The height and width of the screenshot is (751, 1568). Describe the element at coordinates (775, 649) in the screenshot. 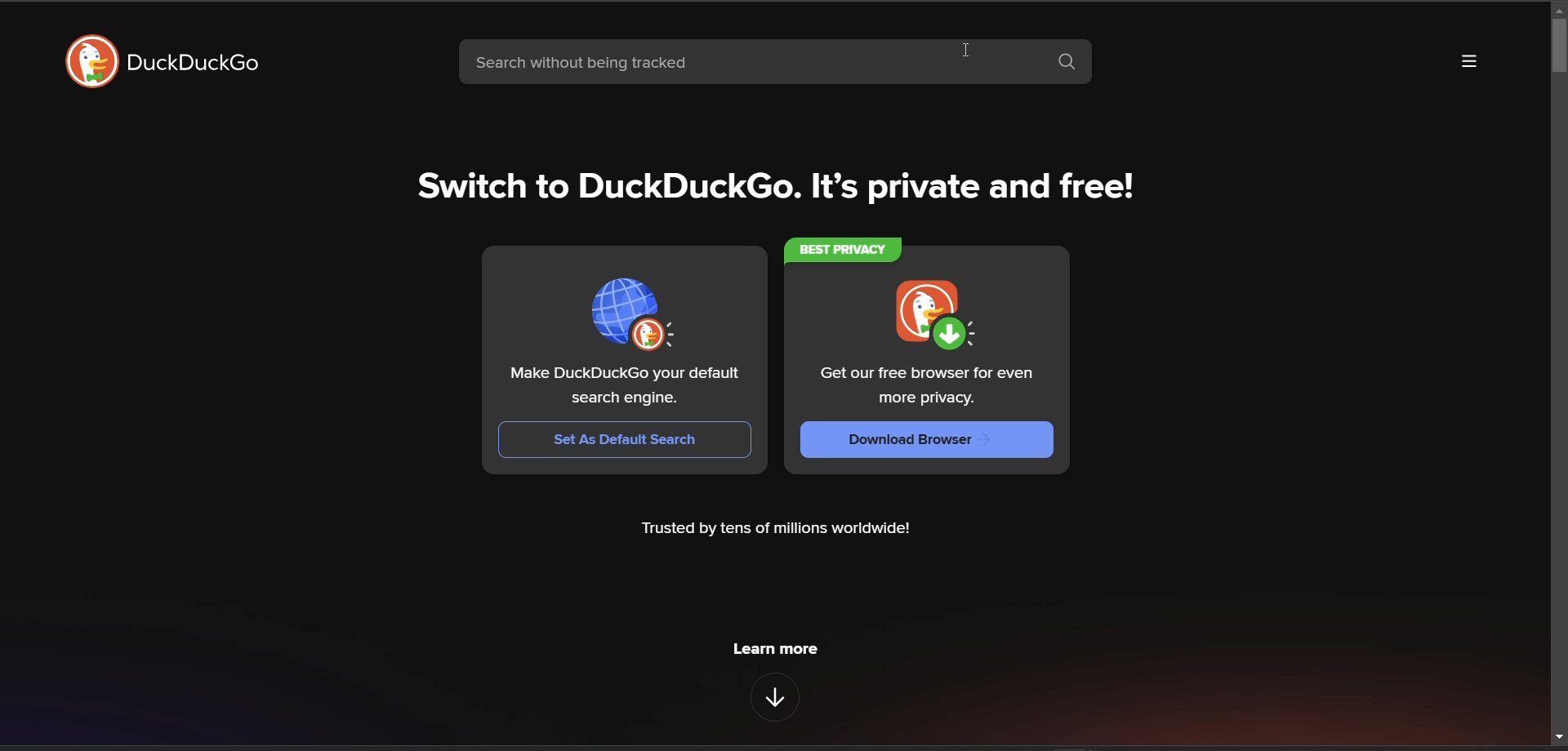

I see `learn more` at that location.